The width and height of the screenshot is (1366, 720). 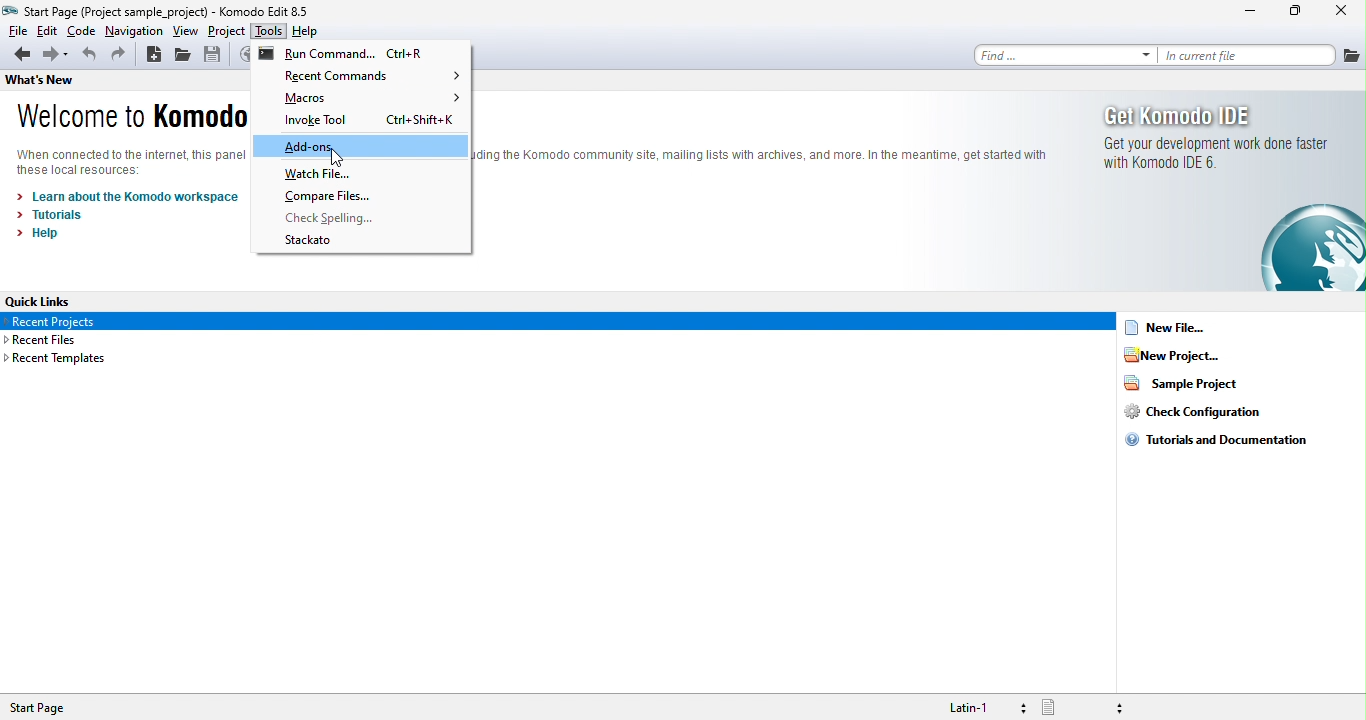 I want to click on check configuration, so click(x=1191, y=417).